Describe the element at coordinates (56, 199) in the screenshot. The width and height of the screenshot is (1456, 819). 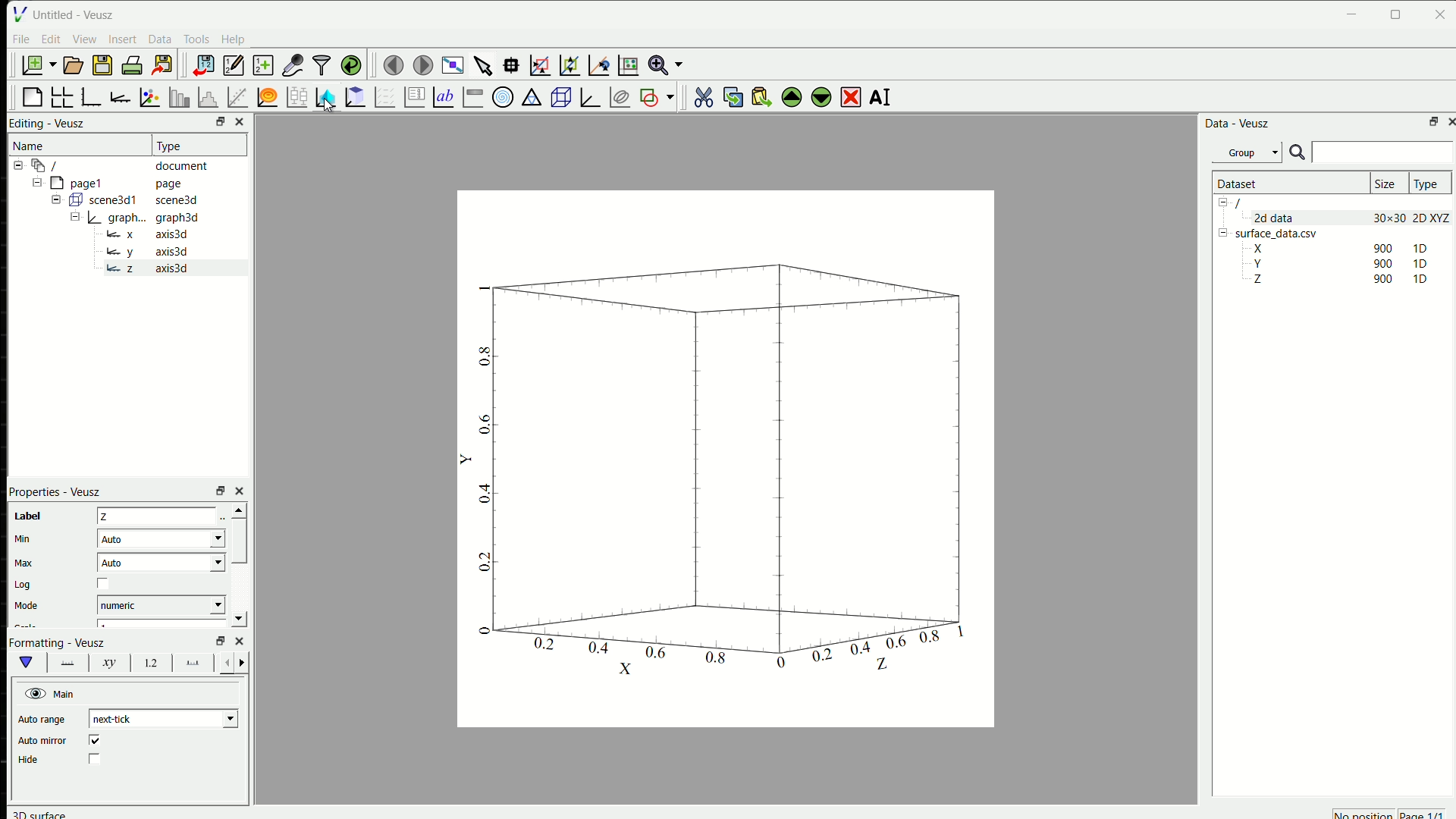
I see `Collapse /expand` at that location.